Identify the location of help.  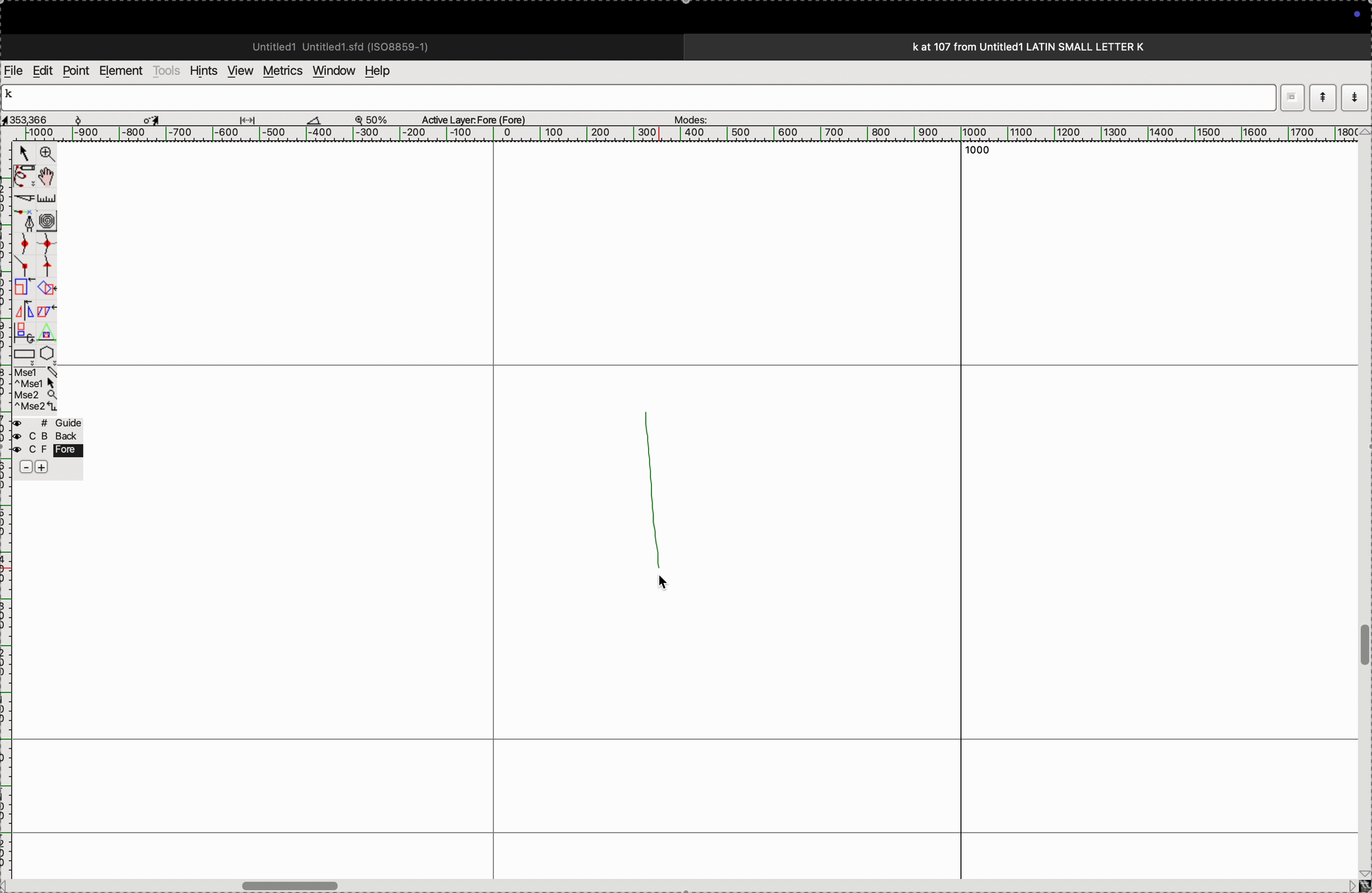
(385, 71).